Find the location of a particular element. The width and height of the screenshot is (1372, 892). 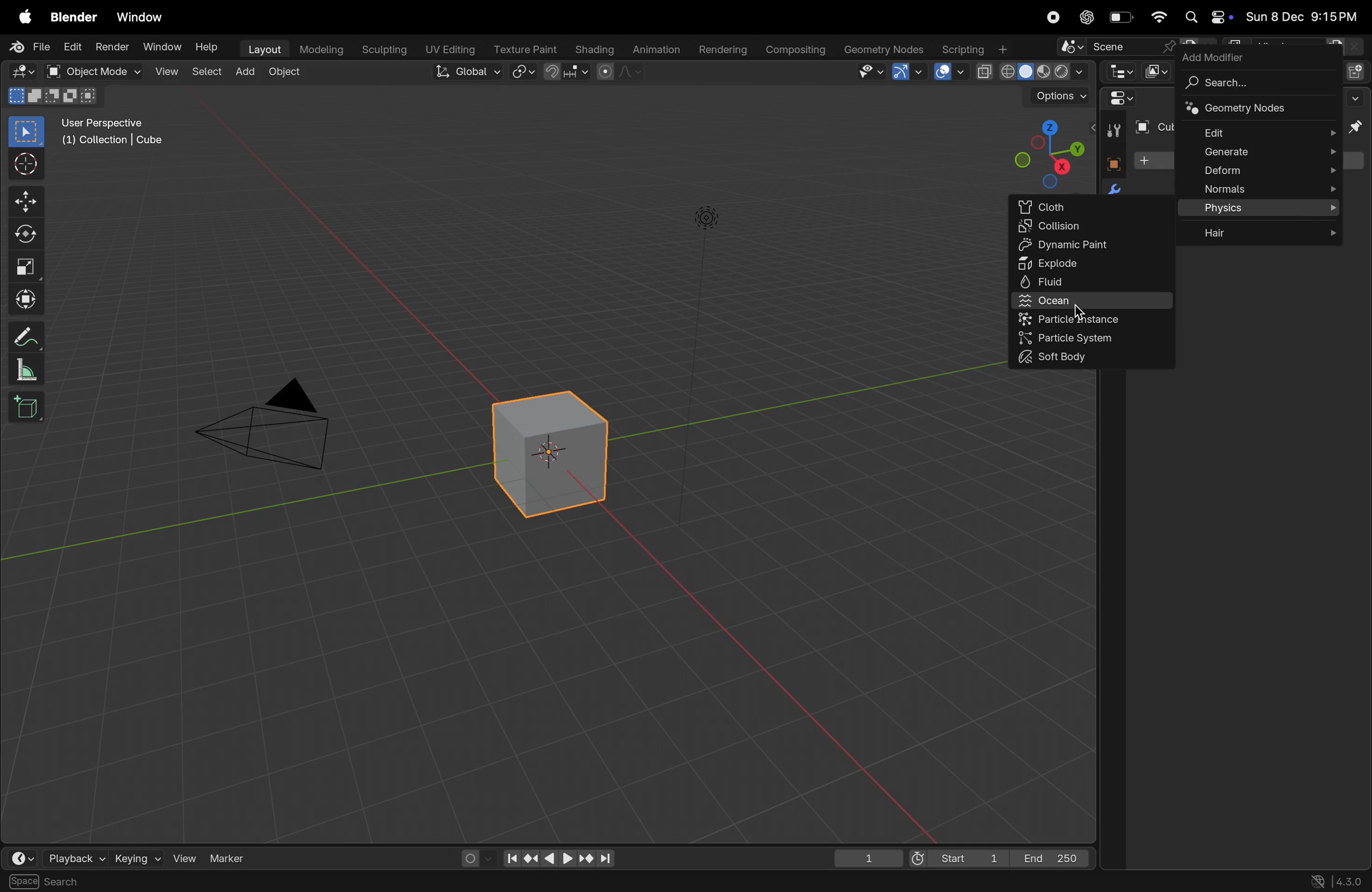

toggle pin id is located at coordinates (1357, 128).